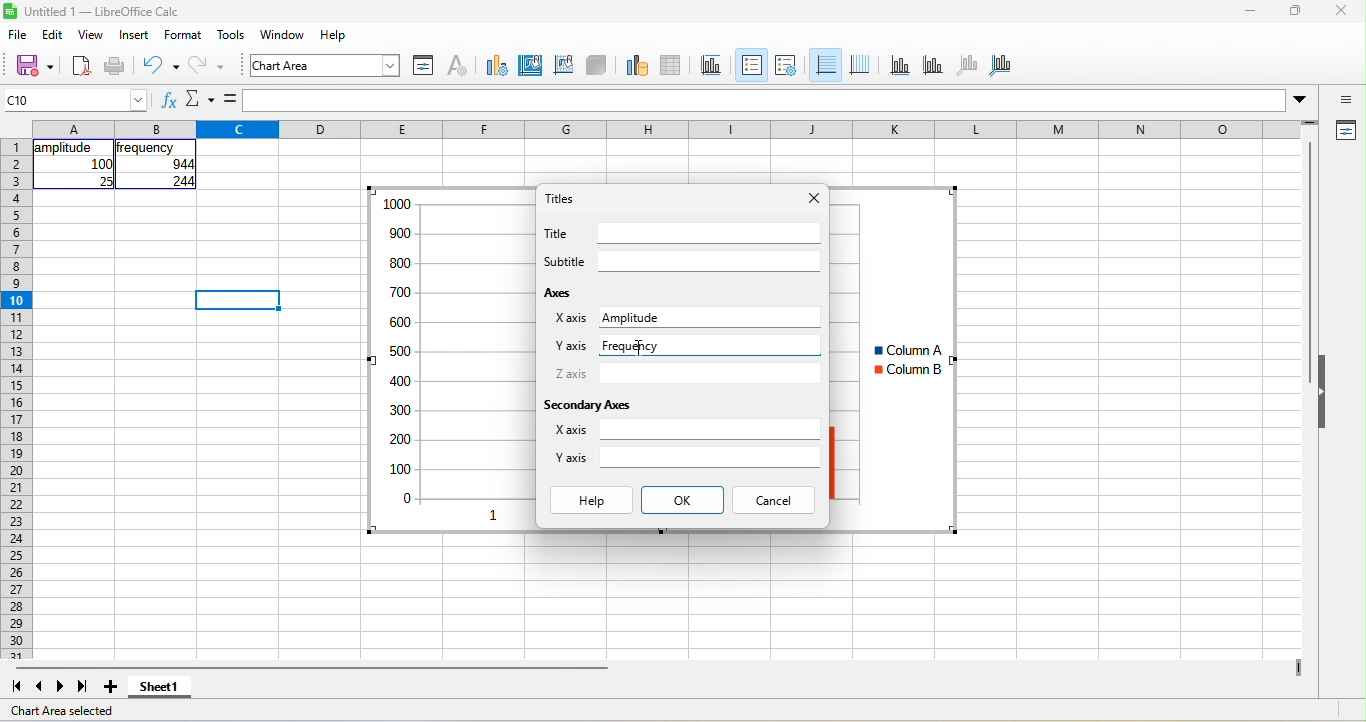 This screenshot has height=722, width=1366. I want to click on Collapse/Expand, so click(1322, 391).